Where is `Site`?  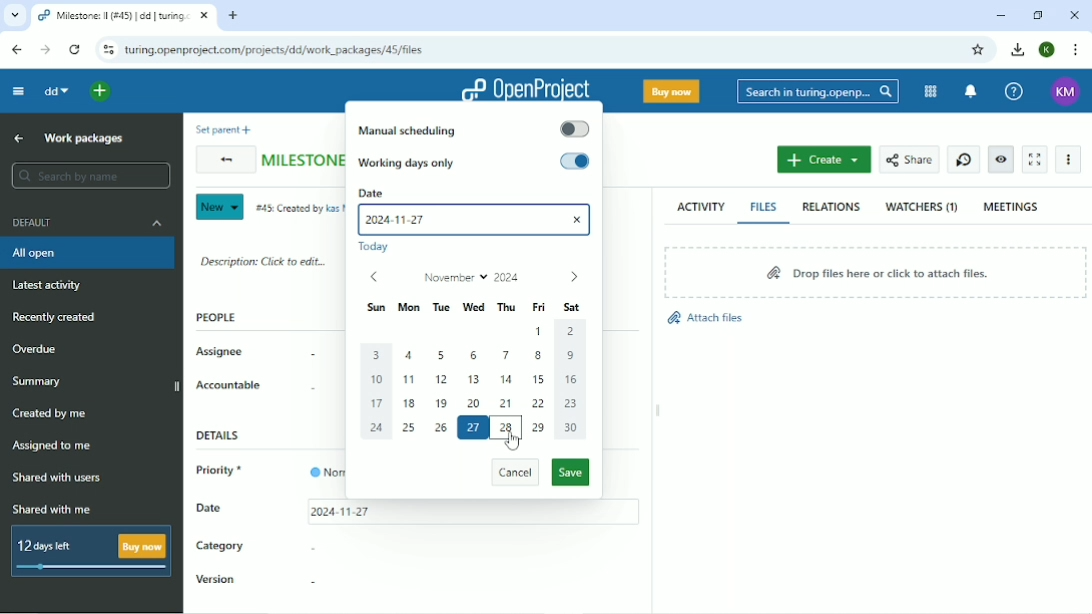 Site is located at coordinates (283, 50).